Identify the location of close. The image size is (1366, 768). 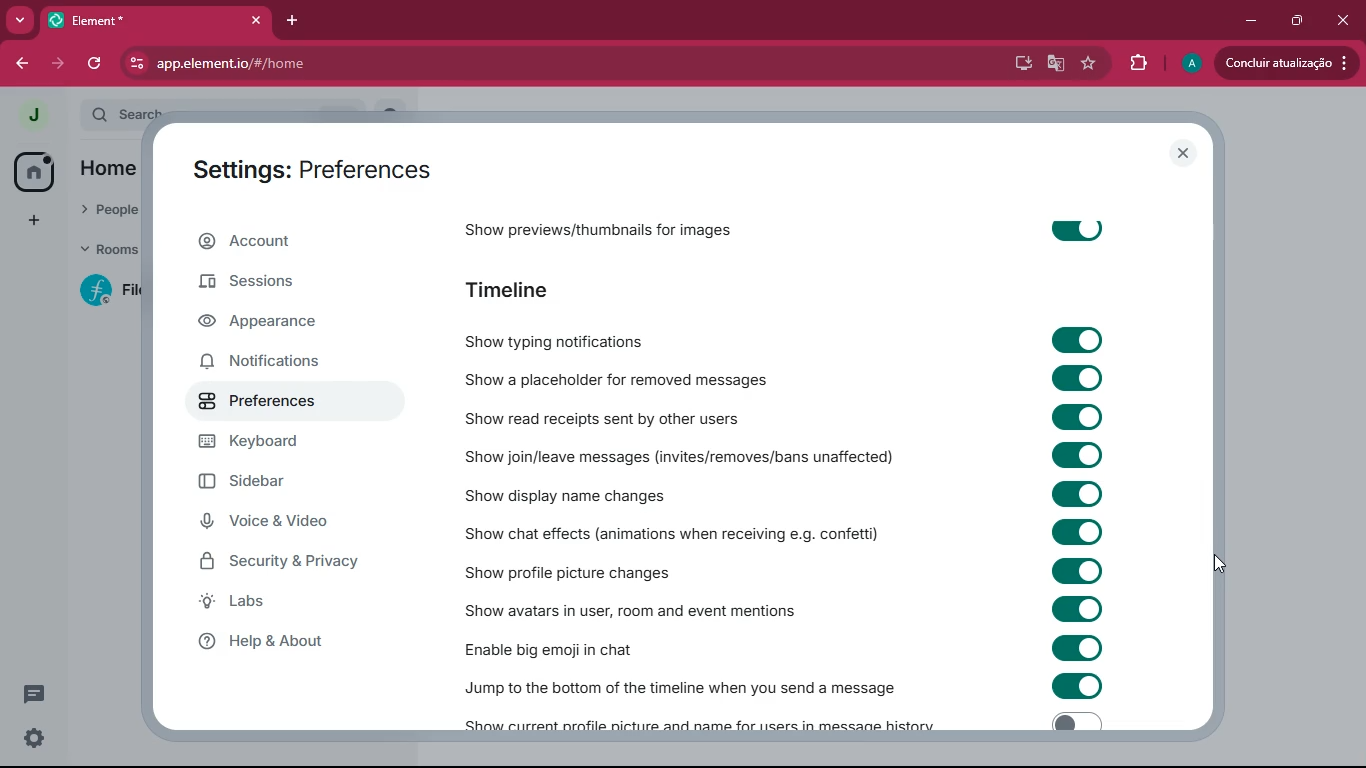
(1343, 21).